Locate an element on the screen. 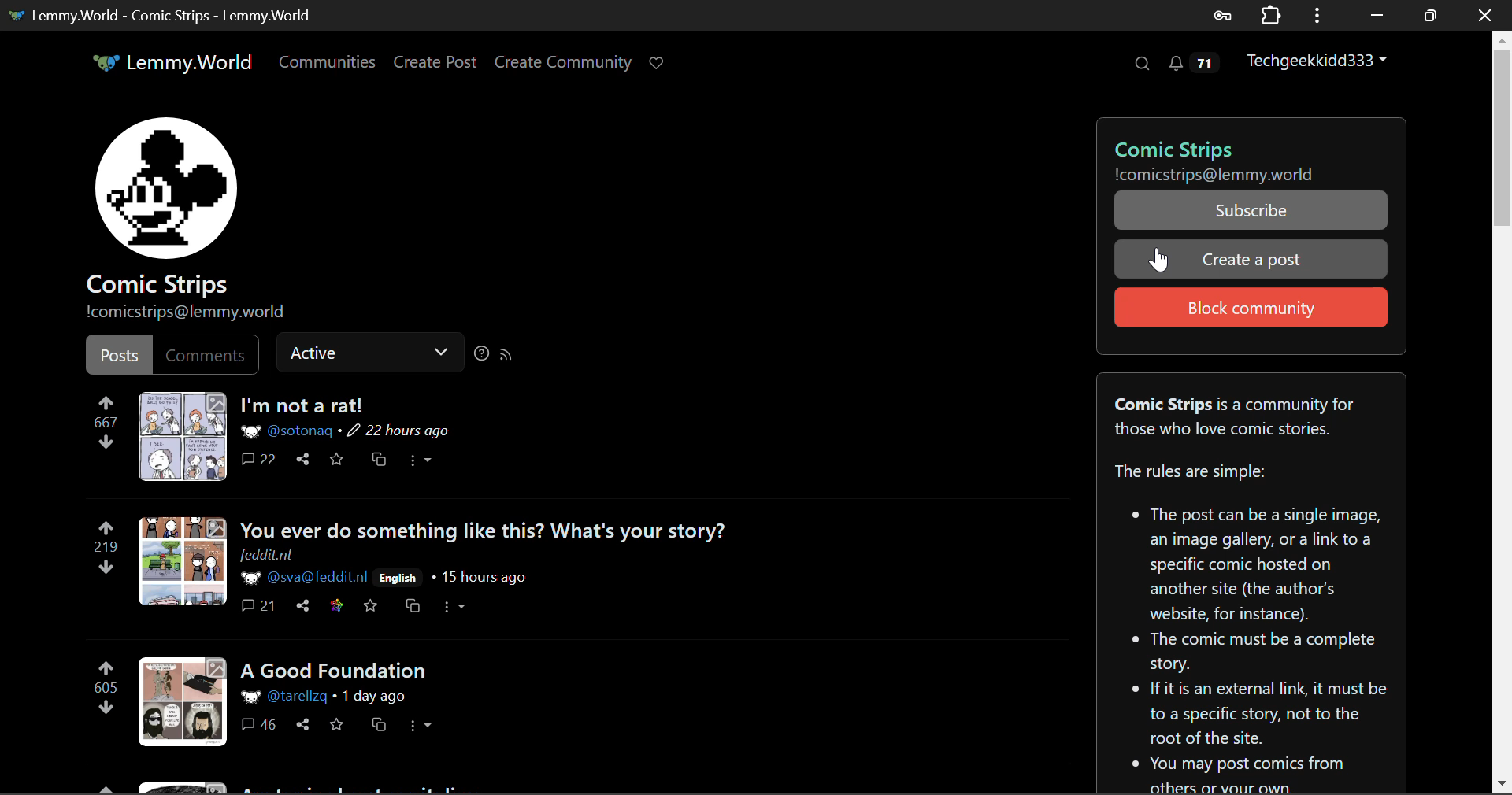  Post Media Preview is located at coordinates (181, 435).